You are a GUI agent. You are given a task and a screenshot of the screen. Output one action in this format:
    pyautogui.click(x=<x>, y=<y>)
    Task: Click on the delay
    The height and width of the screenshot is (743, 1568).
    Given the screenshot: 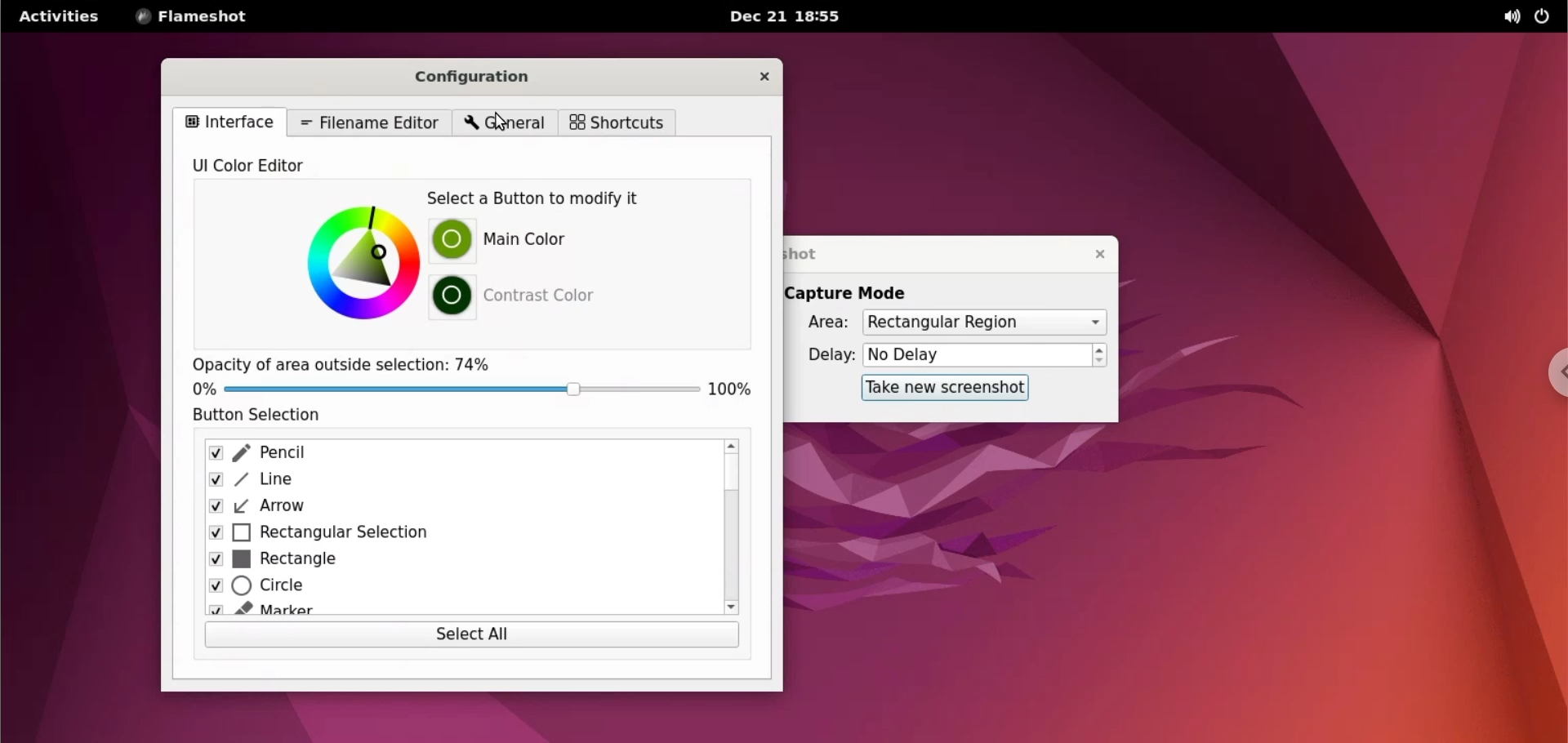 What is the action you would take?
    pyautogui.click(x=825, y=354)
    